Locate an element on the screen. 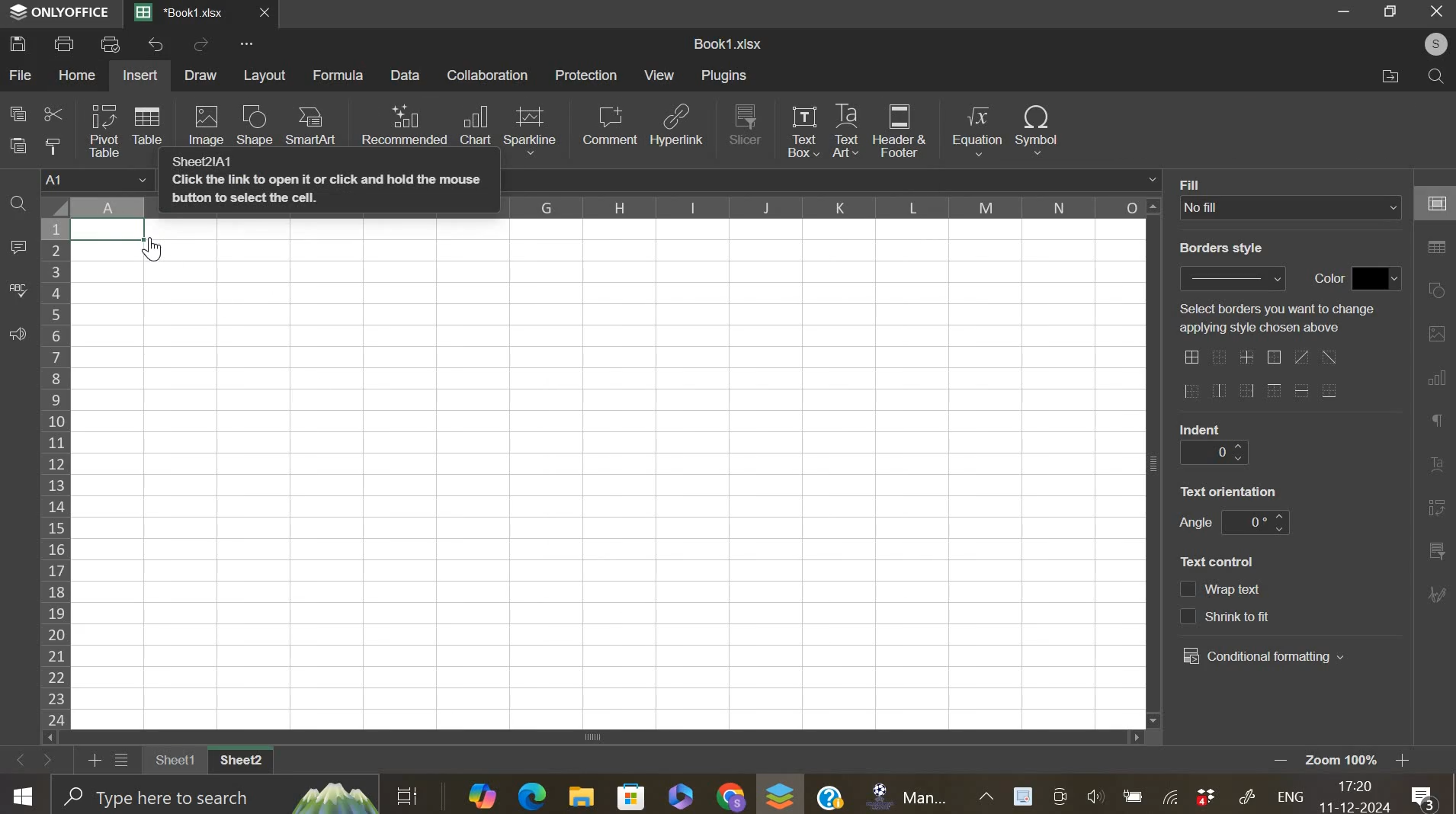 Image resolution: width=1456 pixels, height=814 pixels. cell name is located at coordinates (98, 181).